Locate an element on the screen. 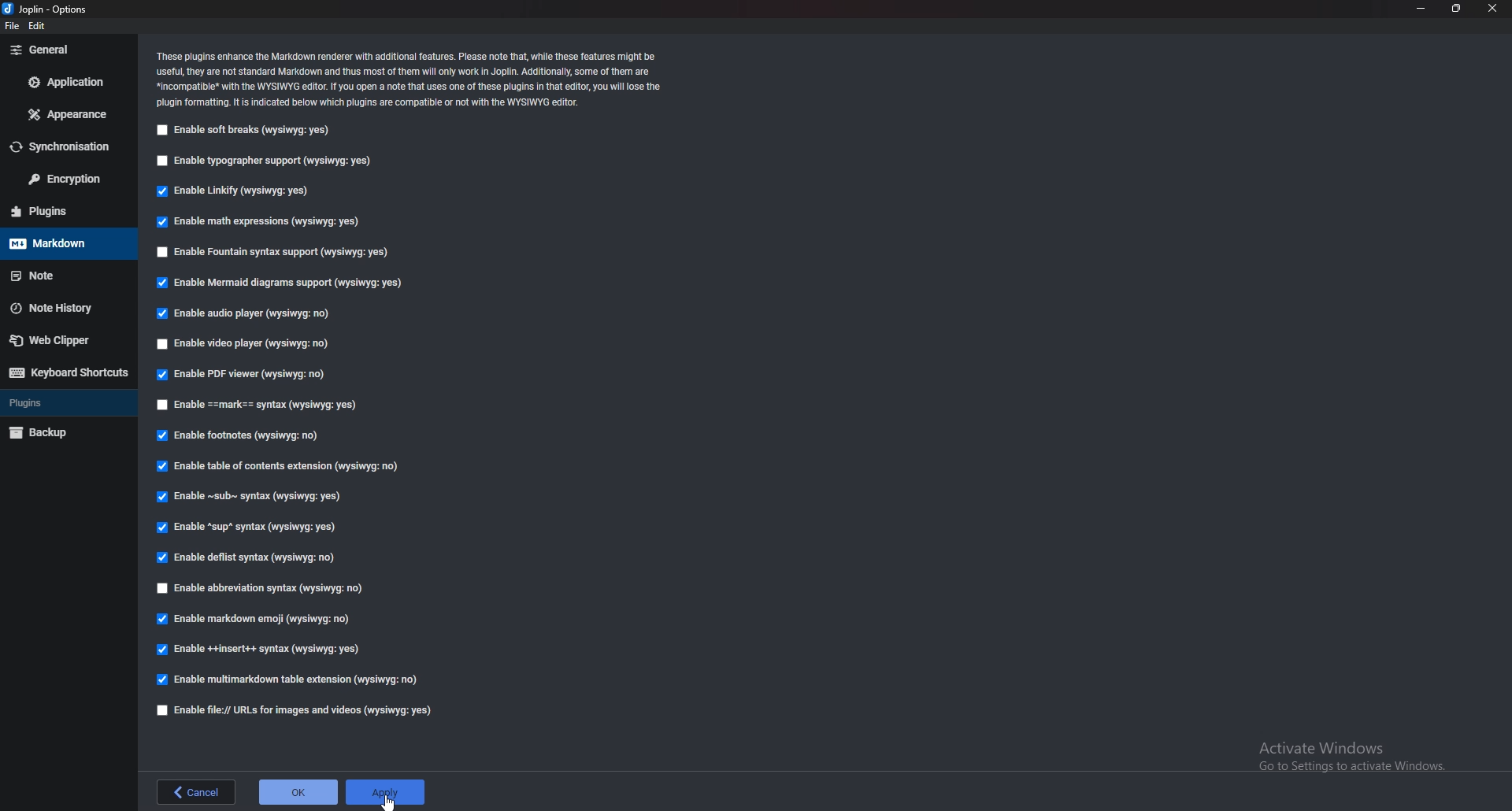 The width and height of the screenshot is (1512, 811). Plugins is located at coordinates (60, 212).